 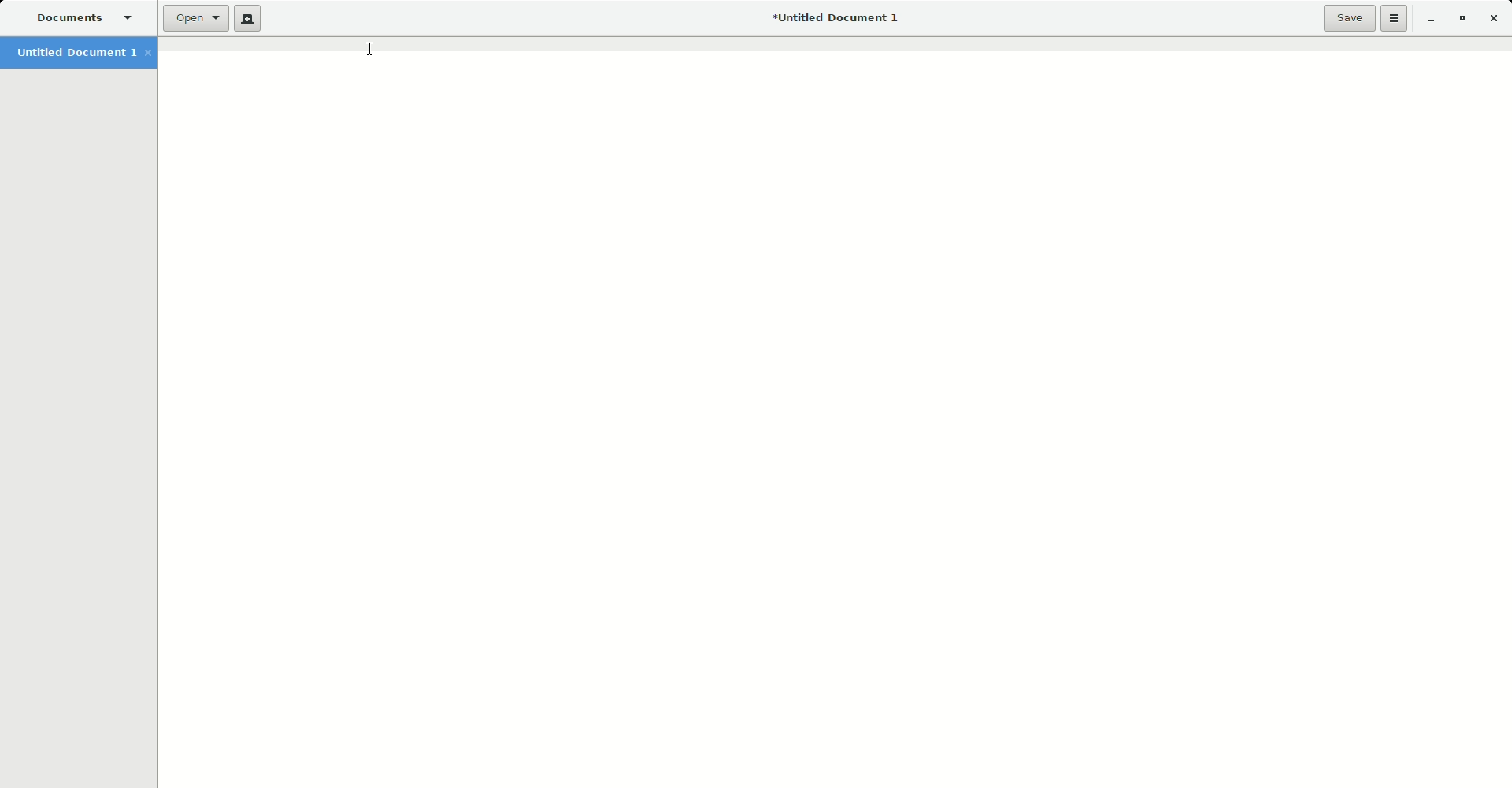 What do you see at coordinates (1397, 20) in the screenshot?
I see `Options` at bounding box center [1397, 20].